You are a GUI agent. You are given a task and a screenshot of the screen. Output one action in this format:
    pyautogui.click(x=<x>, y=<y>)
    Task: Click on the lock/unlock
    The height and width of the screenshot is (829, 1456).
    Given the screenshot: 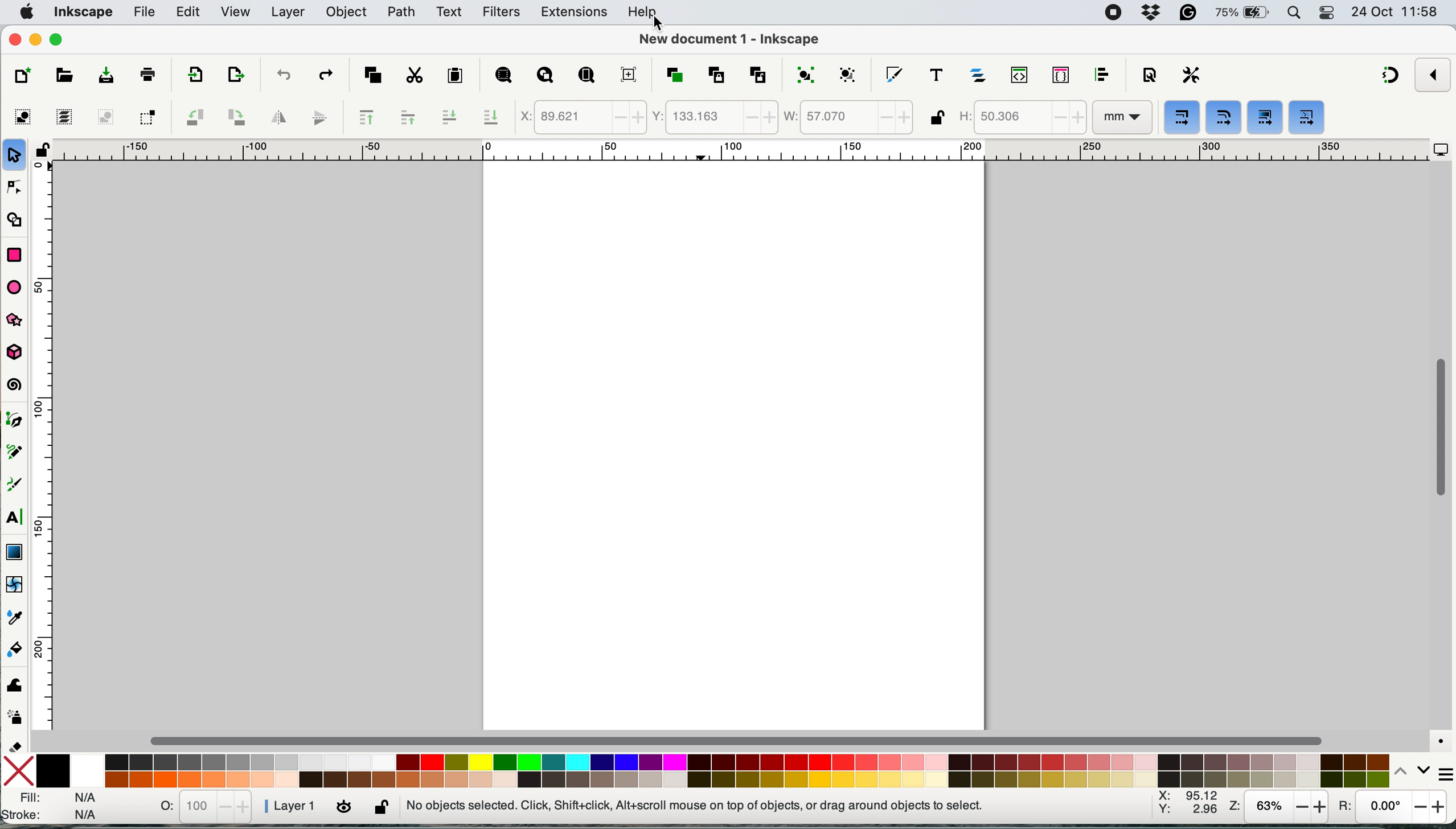 What is the action you would take?
    pyautogui.click(x=358, y=806)
    